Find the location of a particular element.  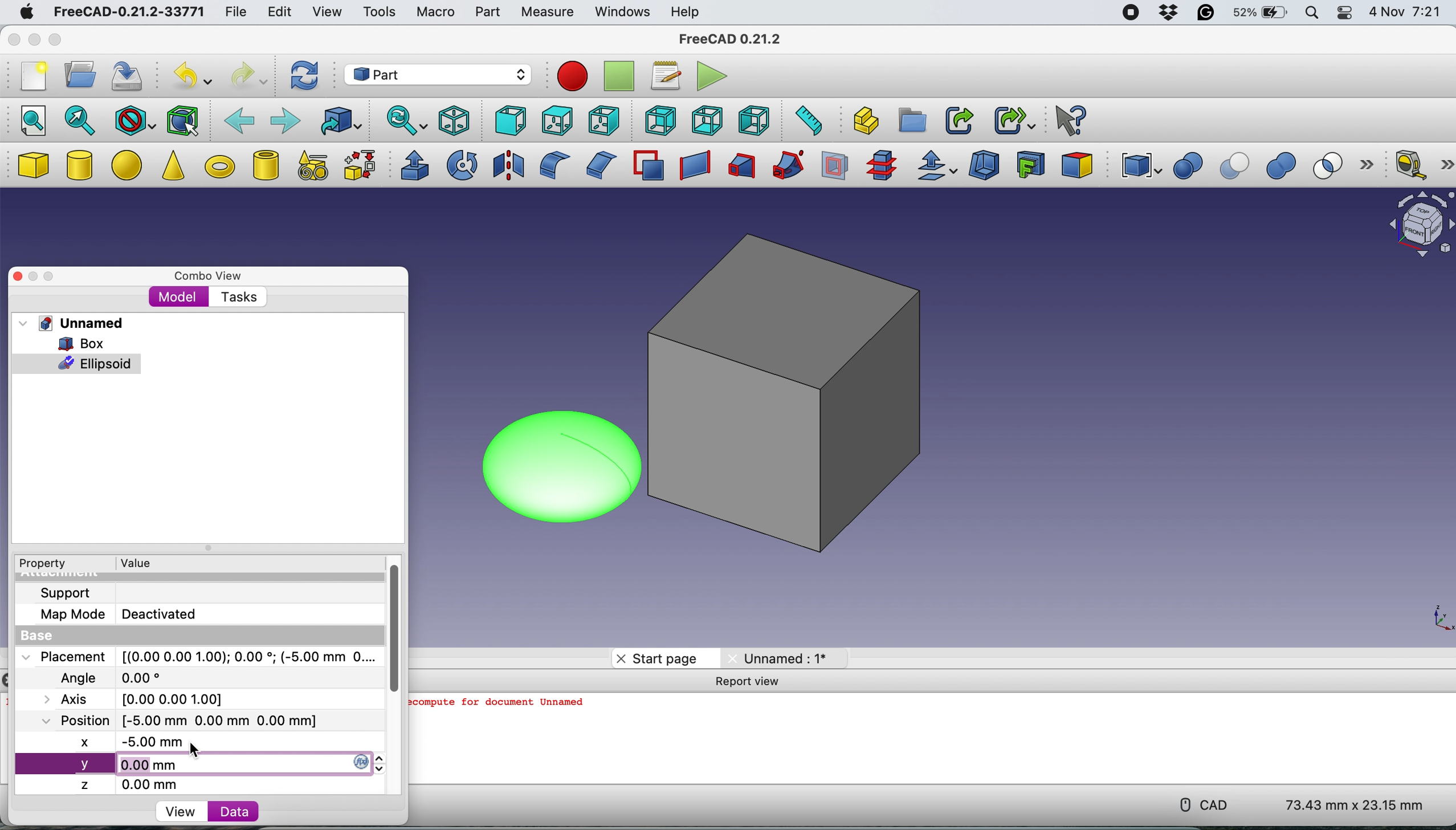

What's this? is located at coordinates (1068, 119).